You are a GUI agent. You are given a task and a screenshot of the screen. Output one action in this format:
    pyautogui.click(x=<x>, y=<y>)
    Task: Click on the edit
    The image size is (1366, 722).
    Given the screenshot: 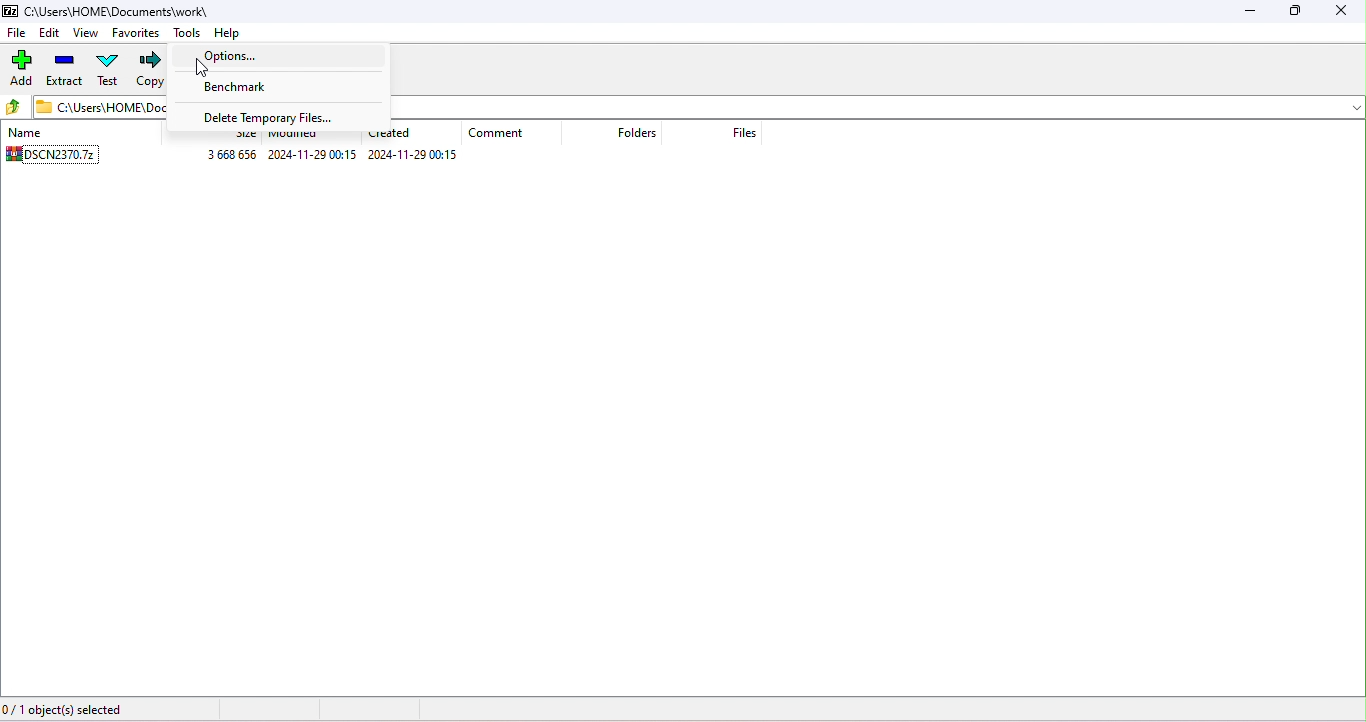 What is the action you would take?
    pyautogui.click(x=51, y=32)
    